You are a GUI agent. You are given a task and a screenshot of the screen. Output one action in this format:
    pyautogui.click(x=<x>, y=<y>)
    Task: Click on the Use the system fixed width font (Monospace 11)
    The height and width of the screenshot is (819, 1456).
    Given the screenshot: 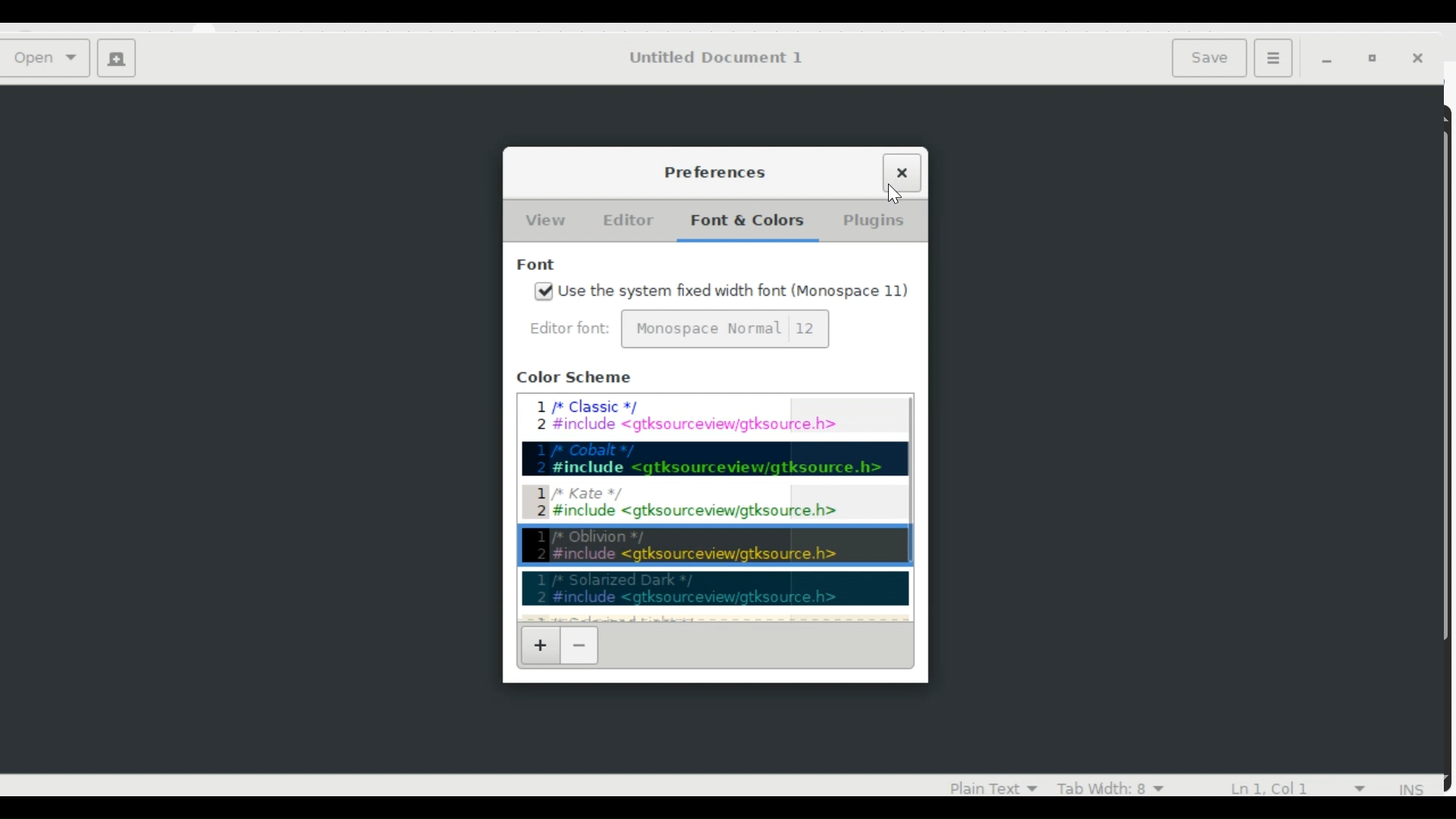 What is the action you would take?
    pyautogui.click(x=733, y=291)
    